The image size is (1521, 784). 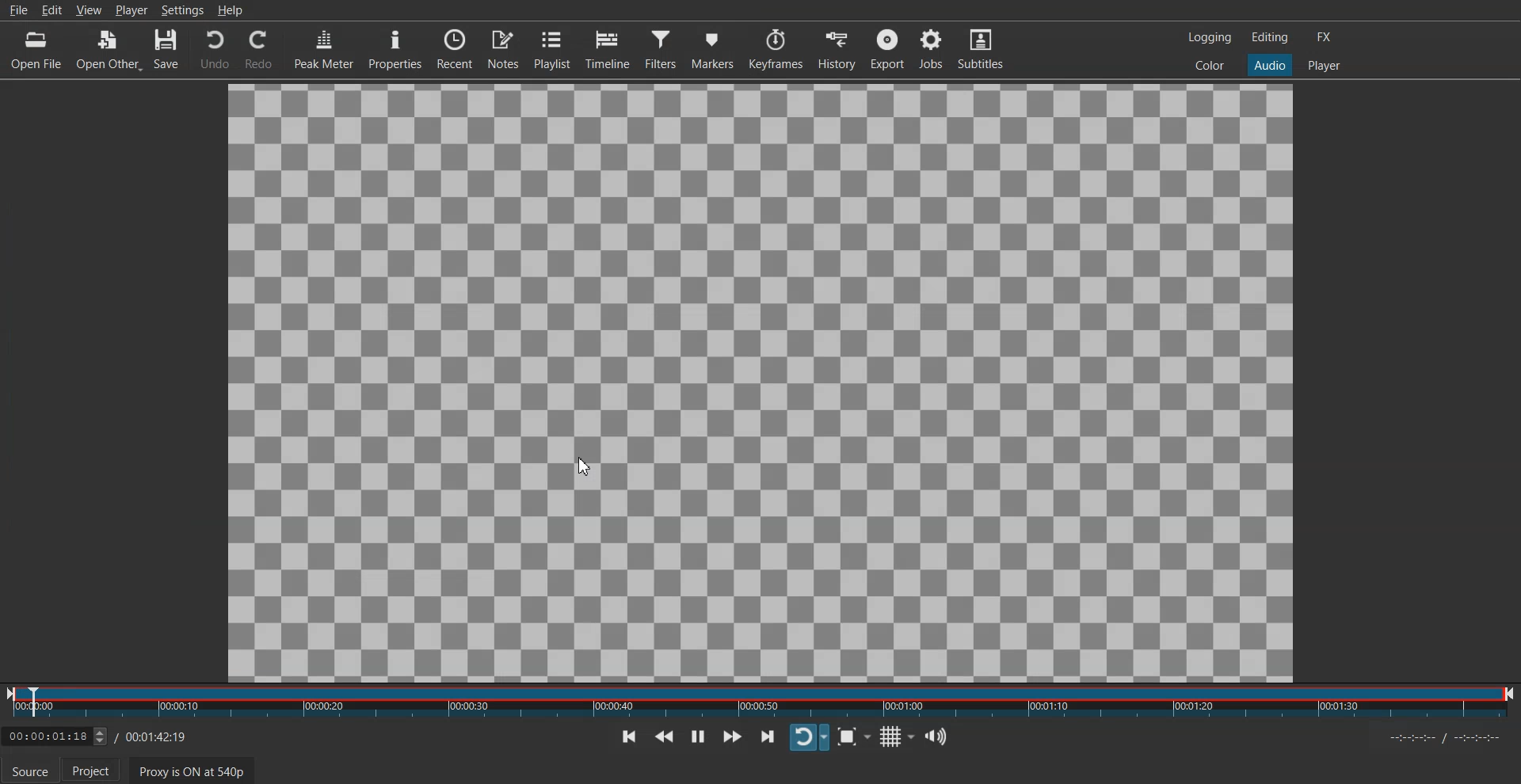 What do you see at coordinates (664, 736) in the screenshot?
I see `Play Quickly Backwards` at bounding box center [664, 736].